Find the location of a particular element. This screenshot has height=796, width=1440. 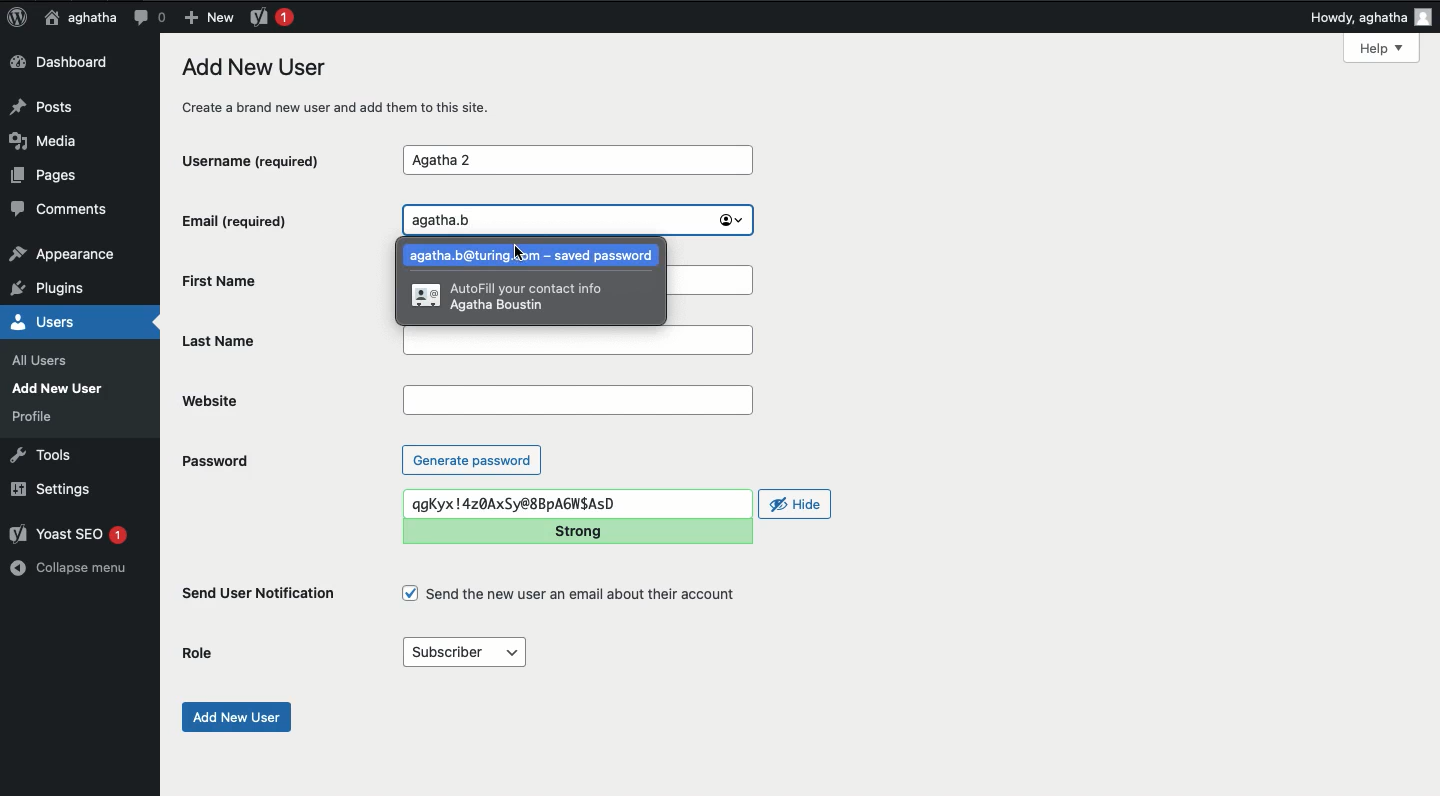

Comment is located at coordinates (149, 17).